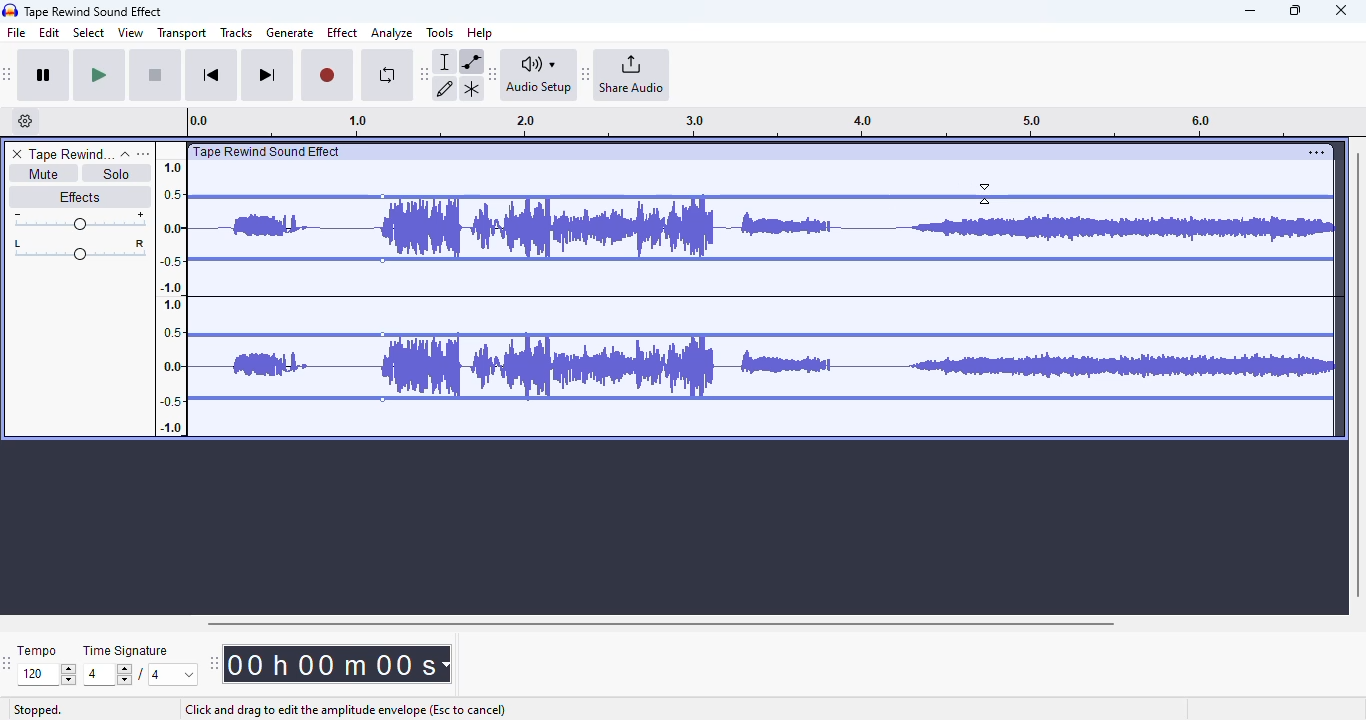  I want to click on collapse, so click(125, 154).